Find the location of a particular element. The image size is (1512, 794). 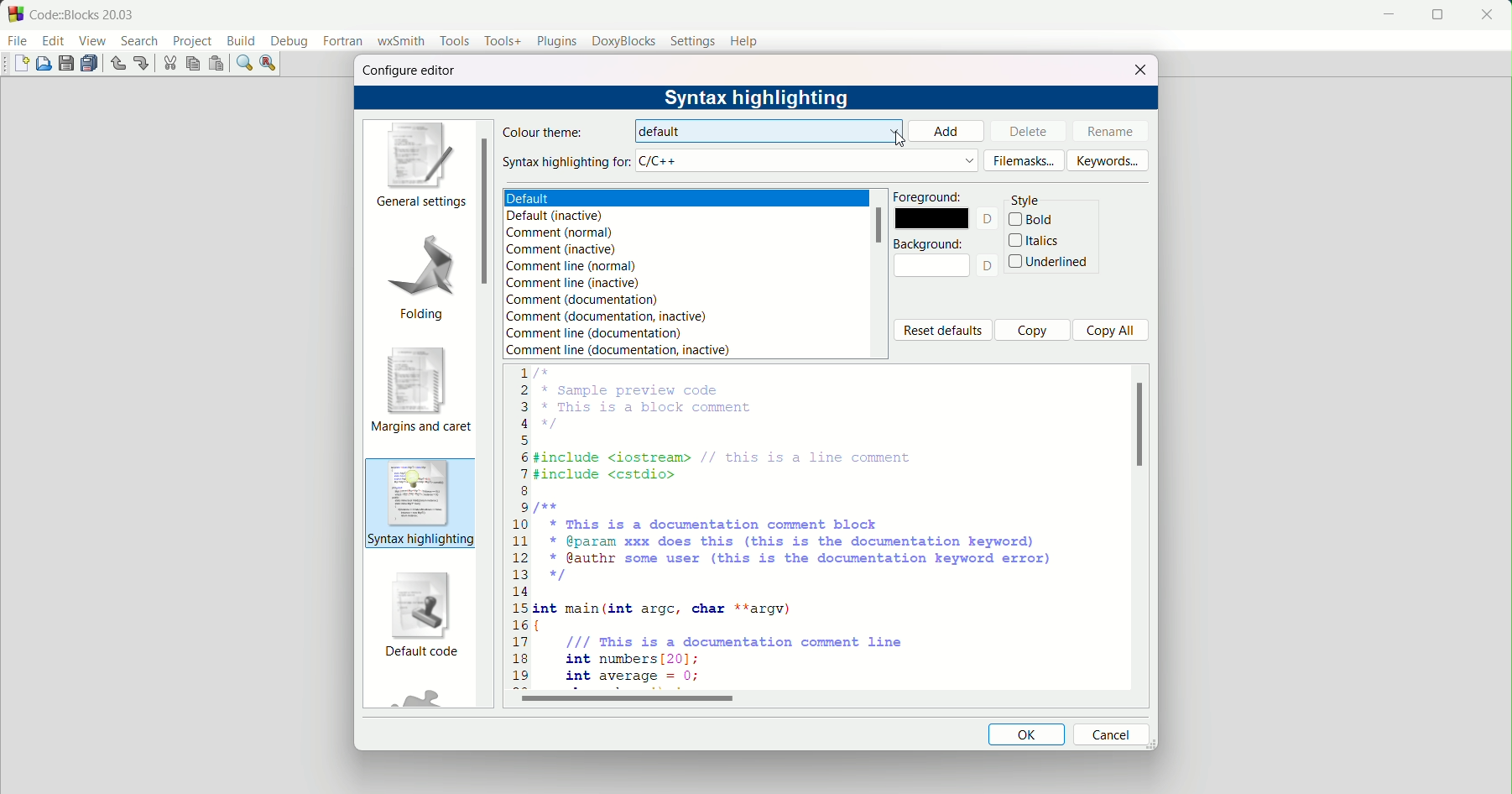

syntax highlight is located at coordinates (759, 97).